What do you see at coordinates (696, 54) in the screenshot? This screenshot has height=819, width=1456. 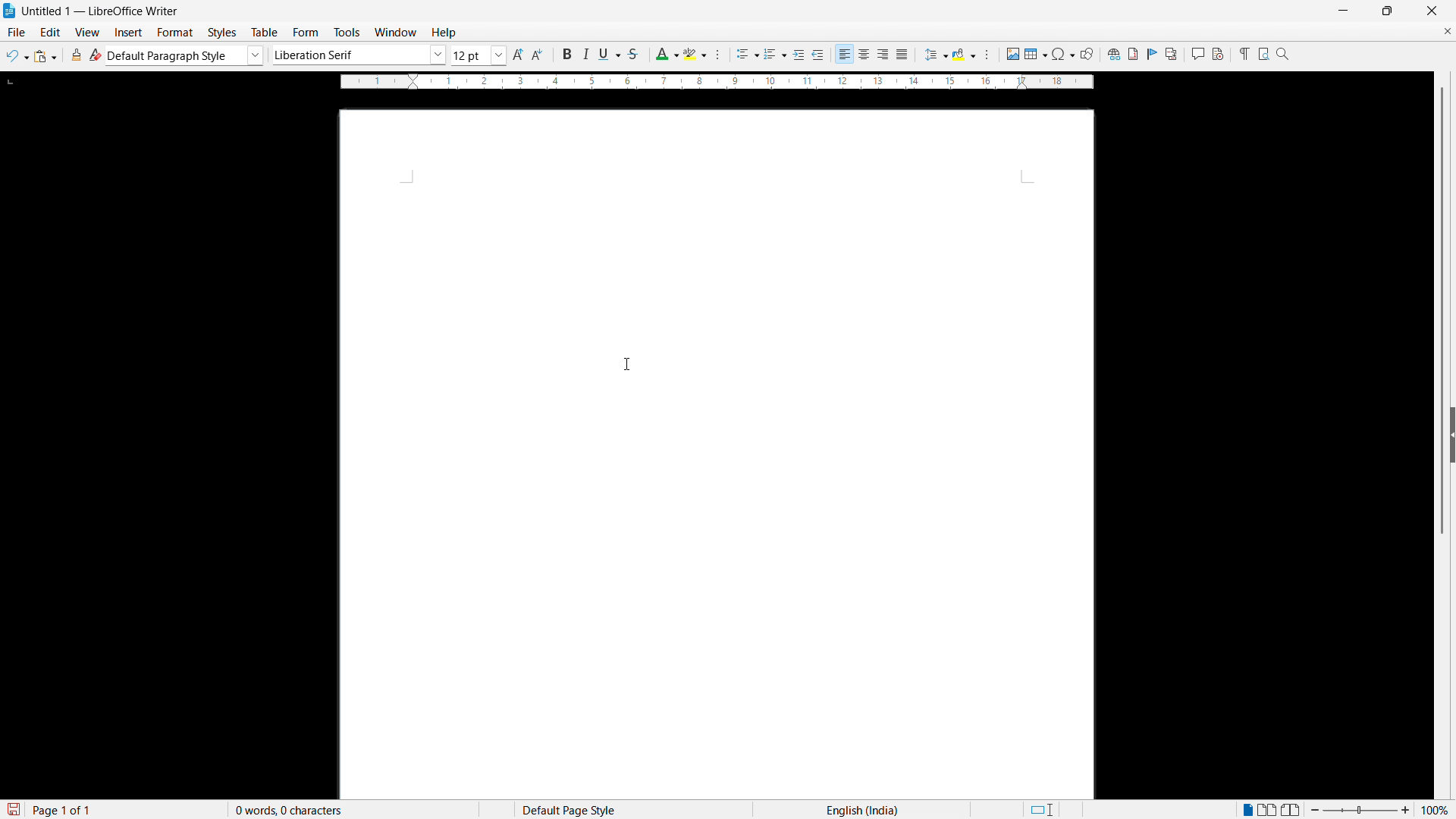 I see `Character highlighting colour ` at bounding box center [696, 54].